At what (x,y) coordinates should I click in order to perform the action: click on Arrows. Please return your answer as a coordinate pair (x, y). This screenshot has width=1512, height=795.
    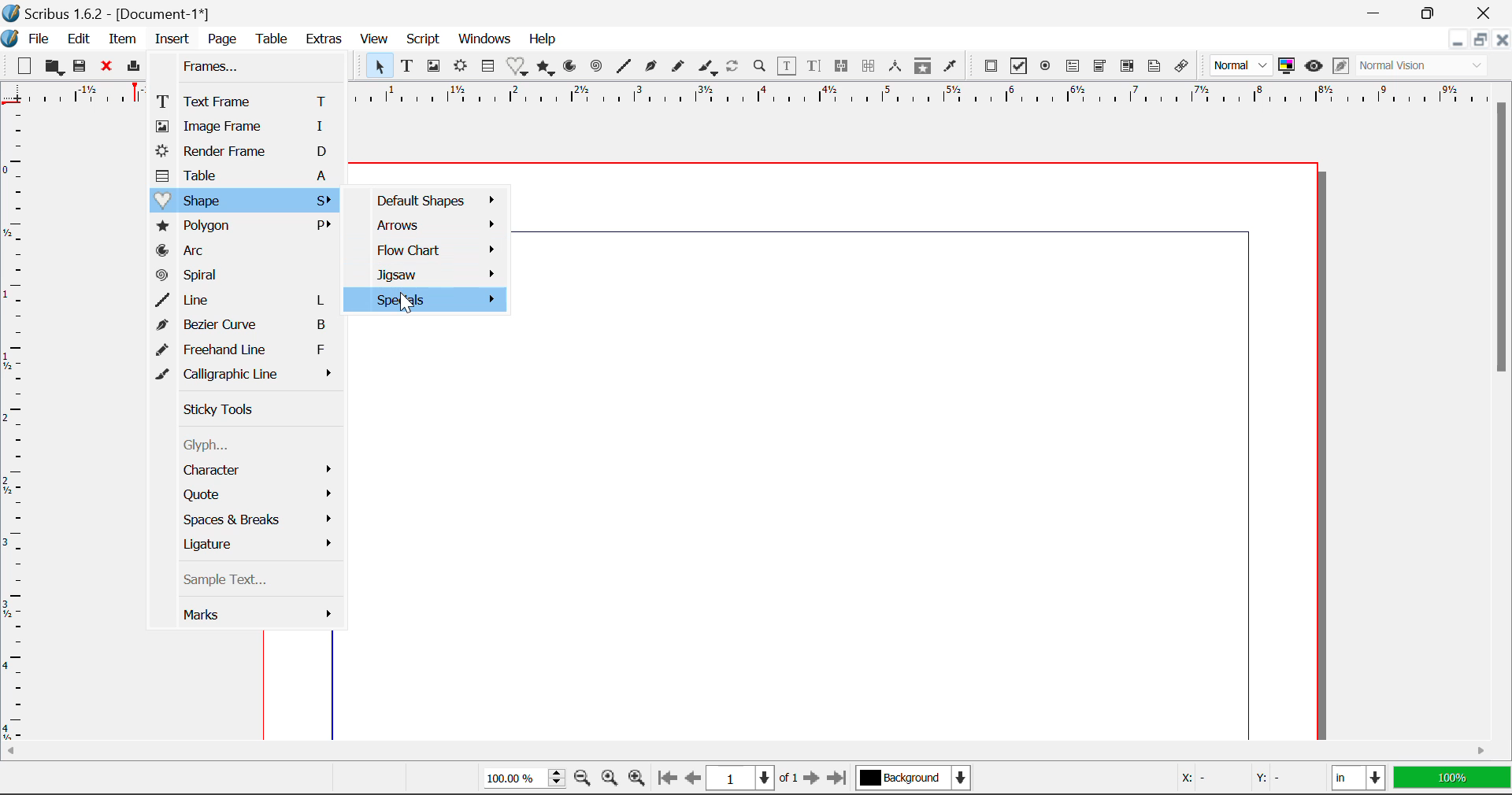
    Looking at the image, I should click on (427, 225).